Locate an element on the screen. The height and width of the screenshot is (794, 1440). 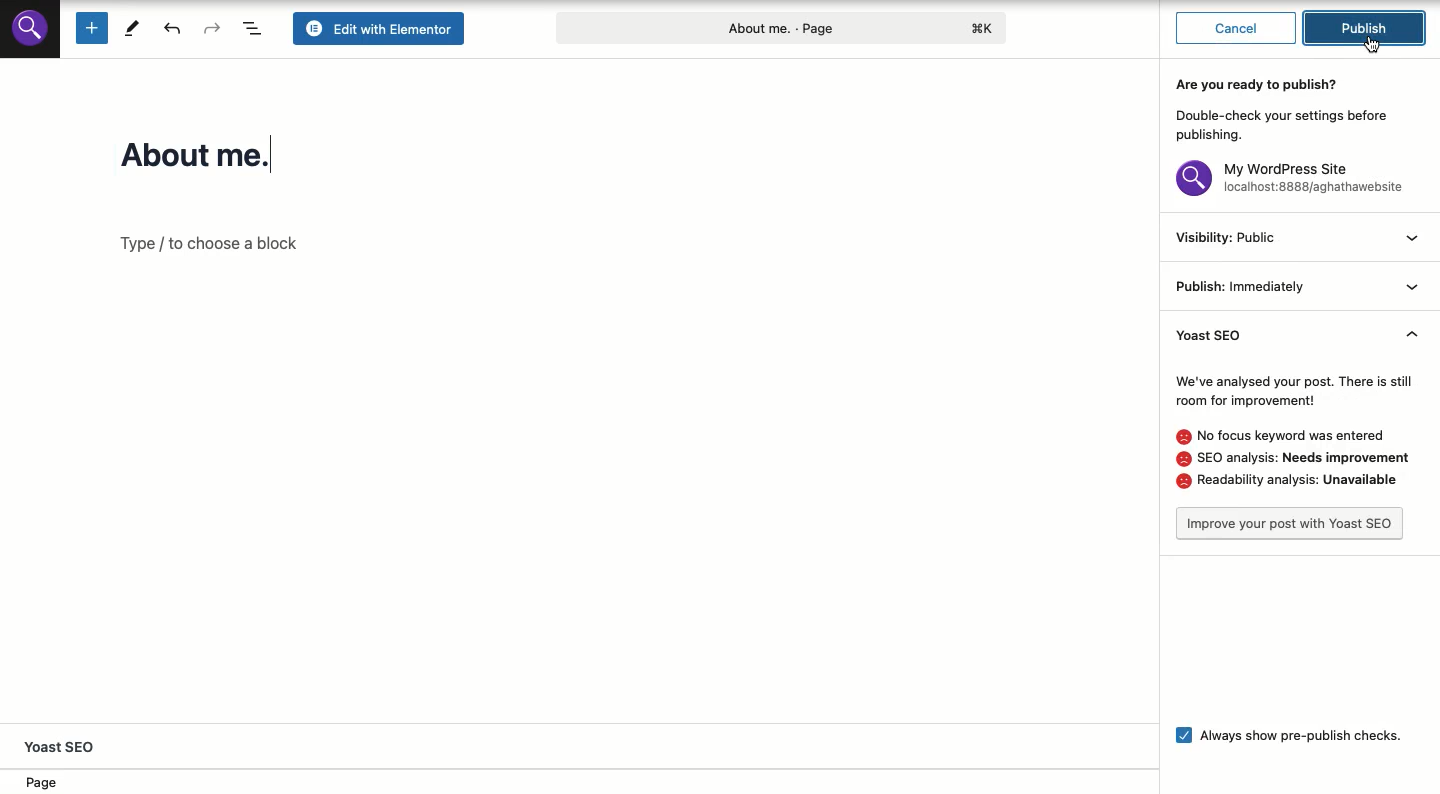
Always show pre-publish checks is located at coordinates (1282, 733).